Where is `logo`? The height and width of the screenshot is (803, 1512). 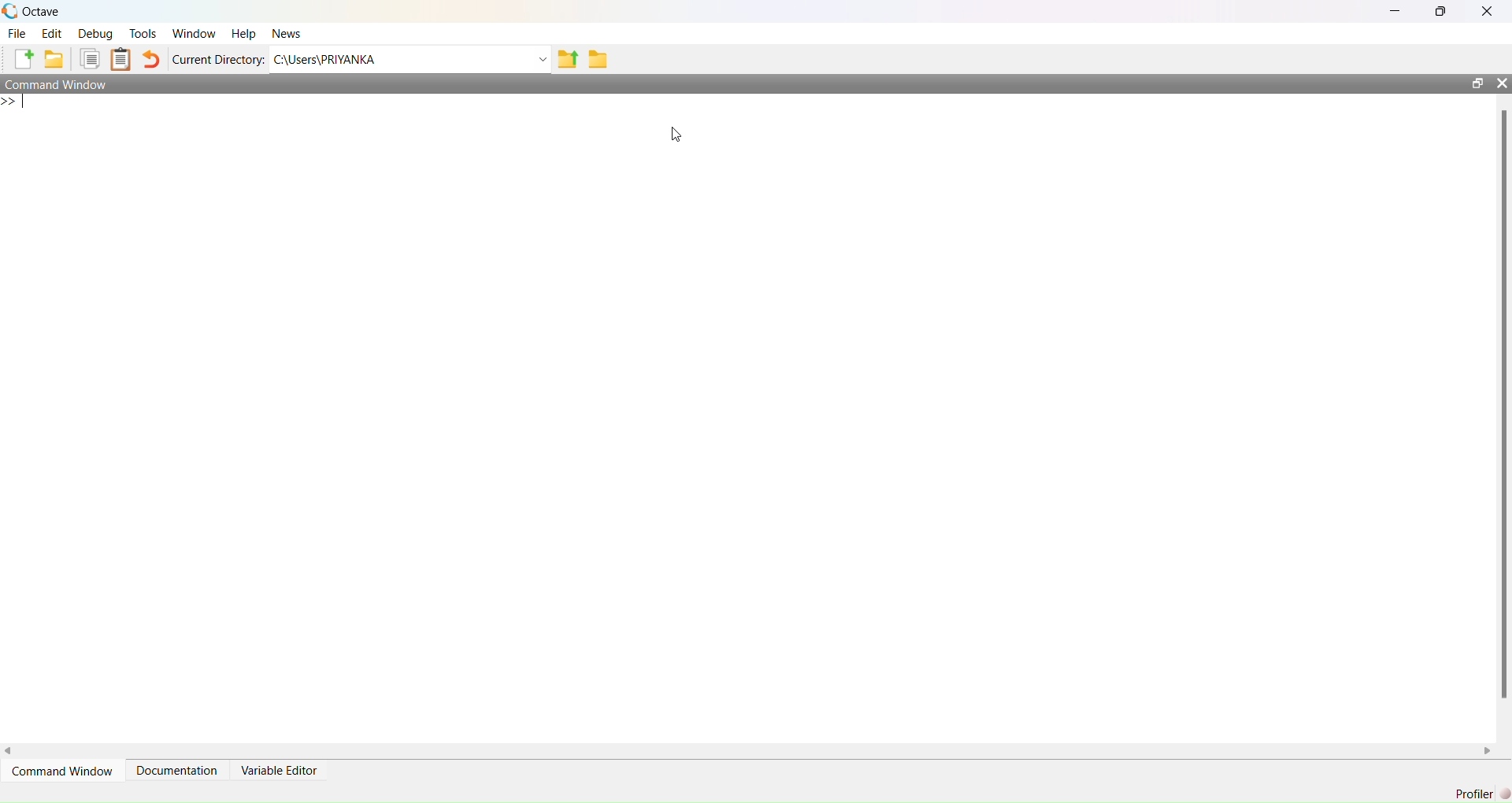 logo is located at coordinates (11, 12).